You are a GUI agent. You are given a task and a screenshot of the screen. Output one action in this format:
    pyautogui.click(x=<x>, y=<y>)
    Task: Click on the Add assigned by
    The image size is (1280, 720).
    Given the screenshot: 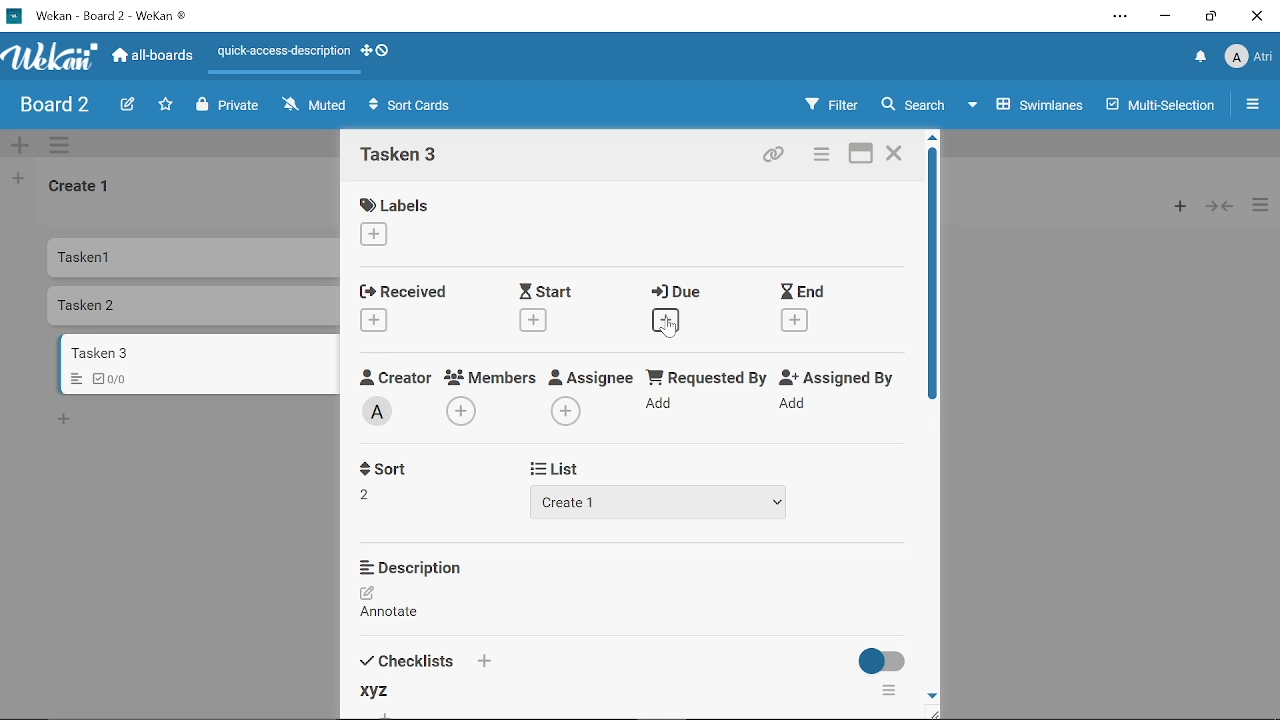 What is the action you would take?
    pyautogui.click(x=796, y=405)
    